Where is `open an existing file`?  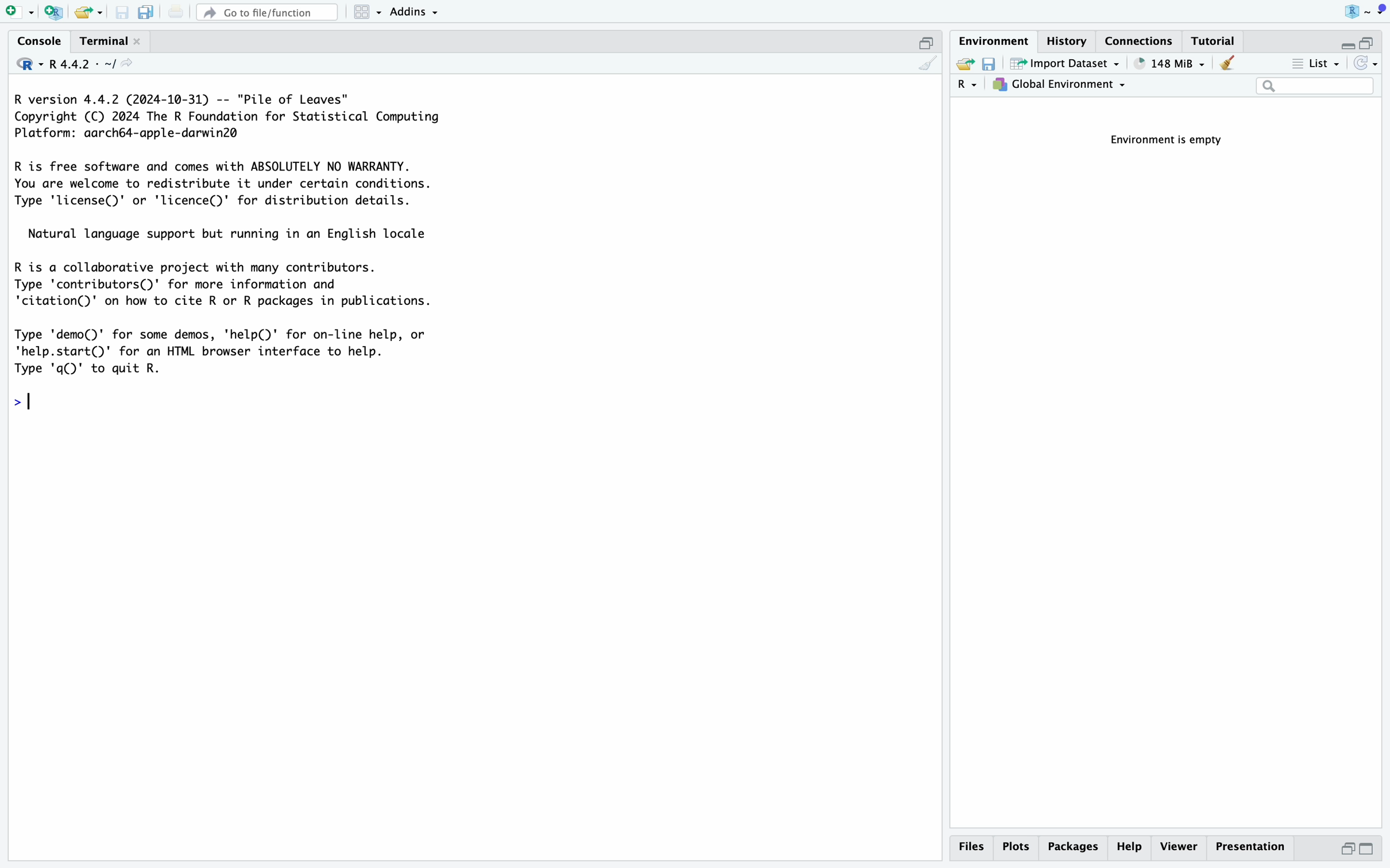 open an existing file is located at coordinates (89, 12).